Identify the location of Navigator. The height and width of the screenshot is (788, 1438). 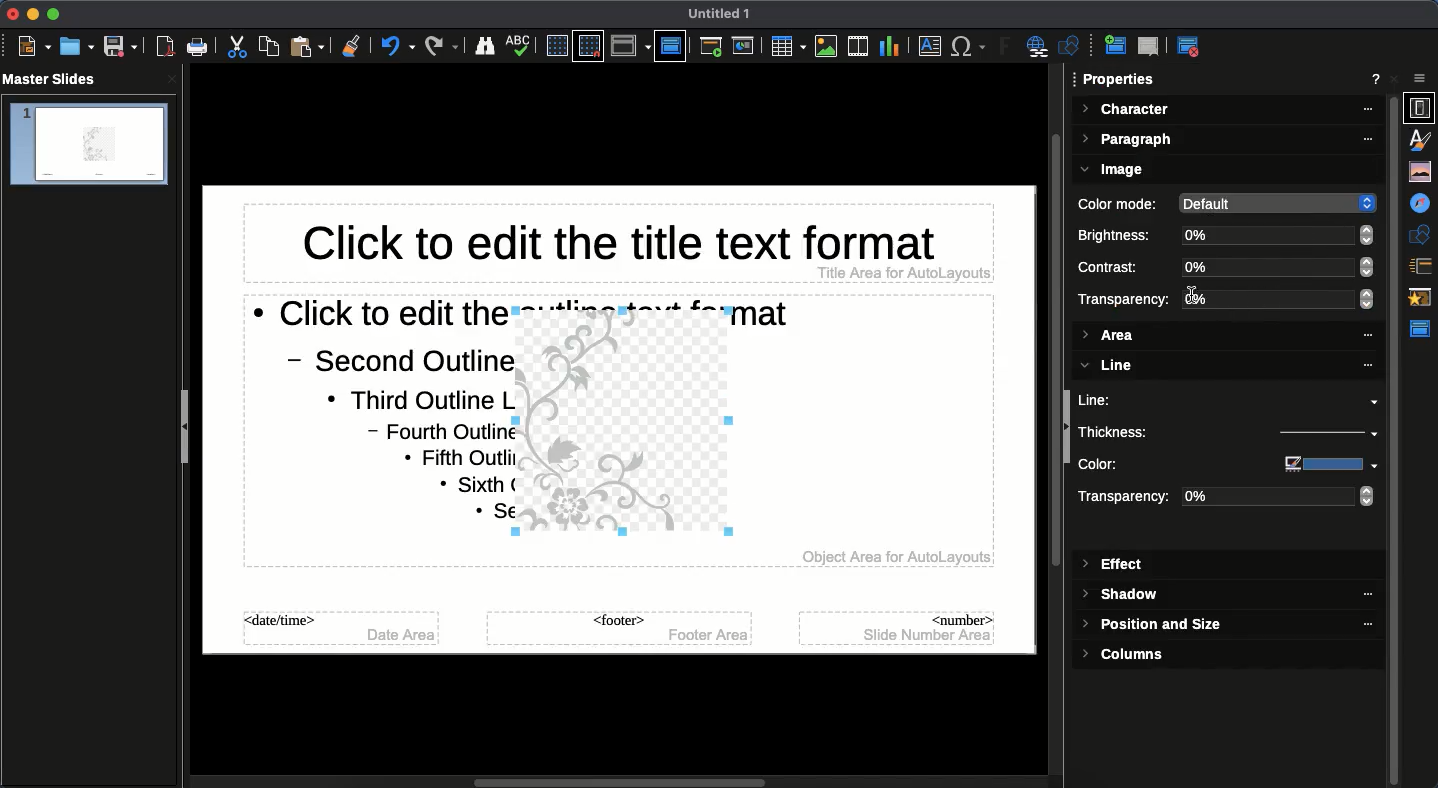
(1422, 204).